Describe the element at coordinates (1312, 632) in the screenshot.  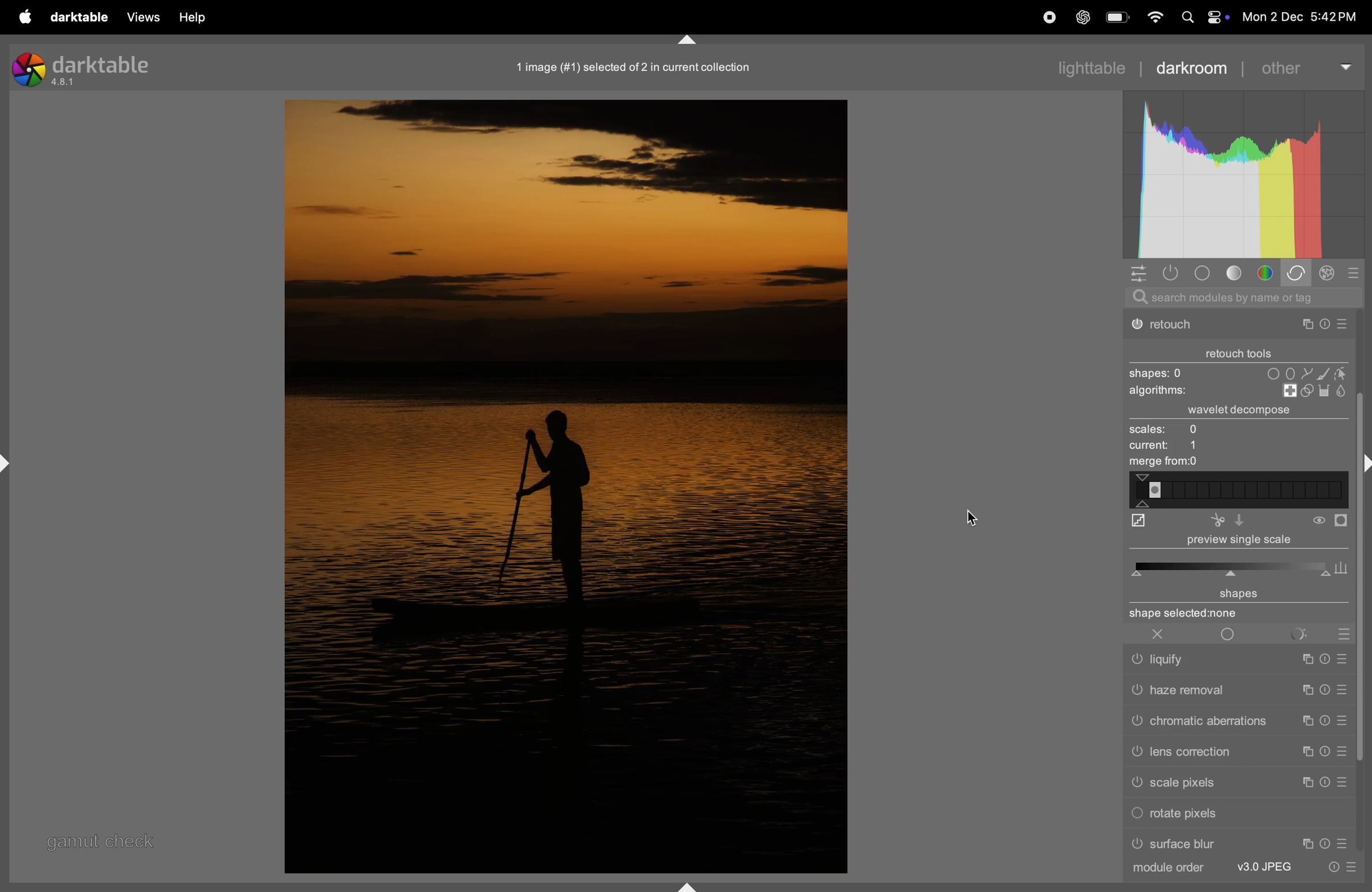
I see `display masks` at that location.